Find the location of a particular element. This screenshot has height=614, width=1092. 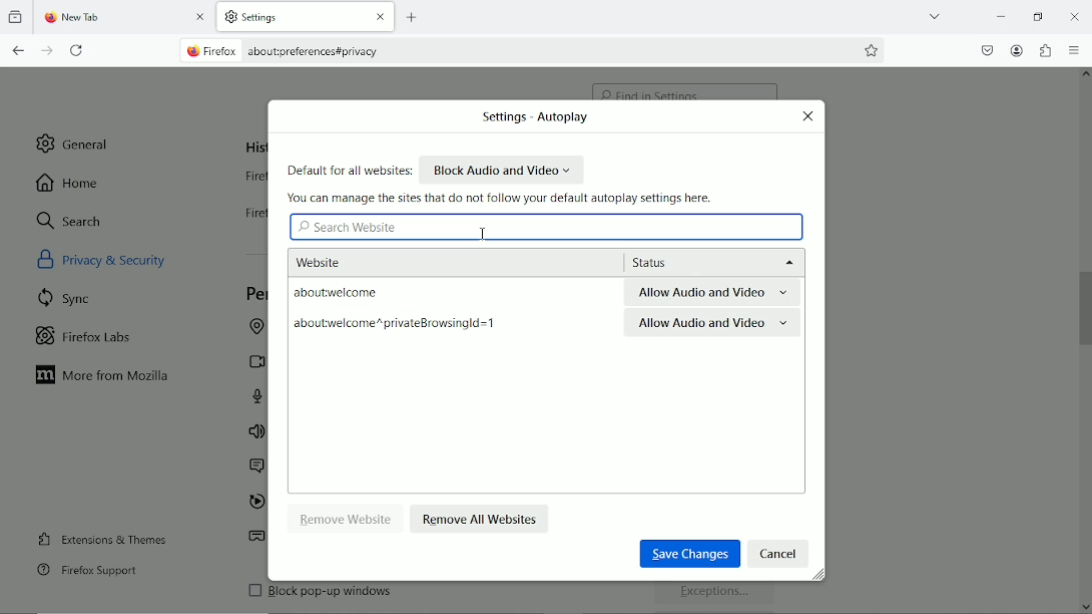

microphone is located at coordinates (260, 396).